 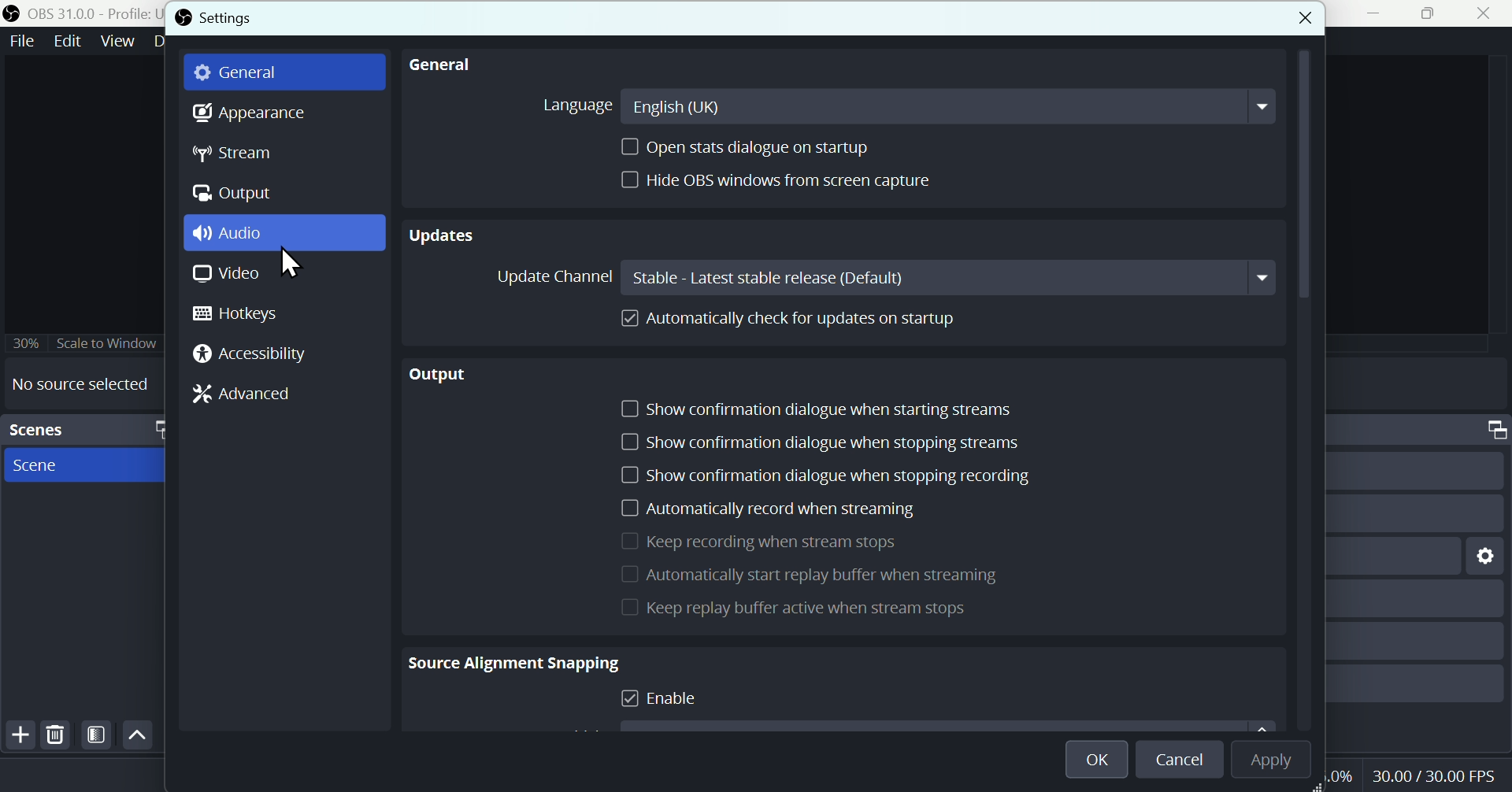 What do you see at coordinates (232, 197) in the screenshot?
I see `Output` at bounding box center [232, 197].